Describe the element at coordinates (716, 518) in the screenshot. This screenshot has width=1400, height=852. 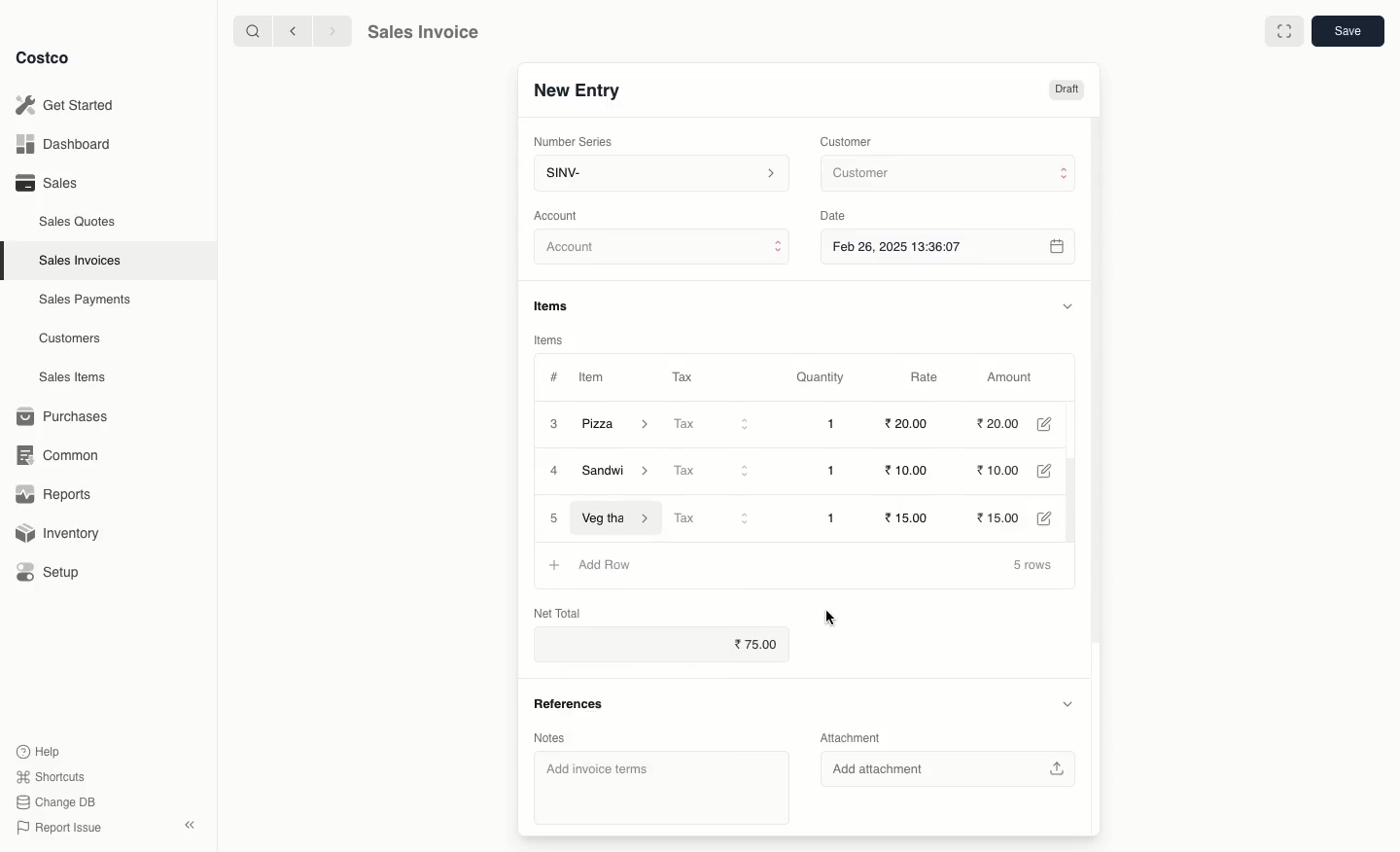
I see `Tax` at that location.